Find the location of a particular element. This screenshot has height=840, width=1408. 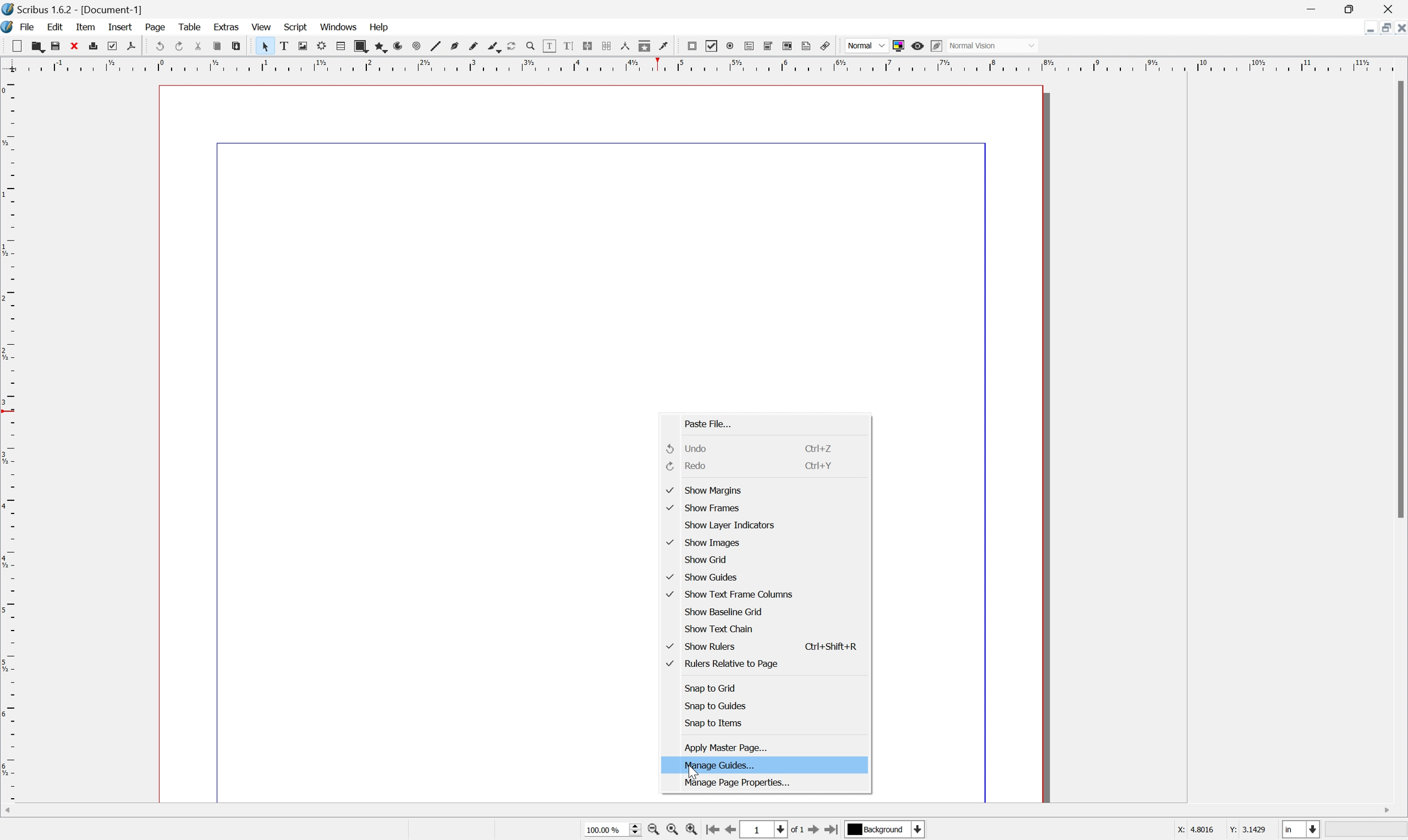

show baseline grid is located at coordinates (722, 611).